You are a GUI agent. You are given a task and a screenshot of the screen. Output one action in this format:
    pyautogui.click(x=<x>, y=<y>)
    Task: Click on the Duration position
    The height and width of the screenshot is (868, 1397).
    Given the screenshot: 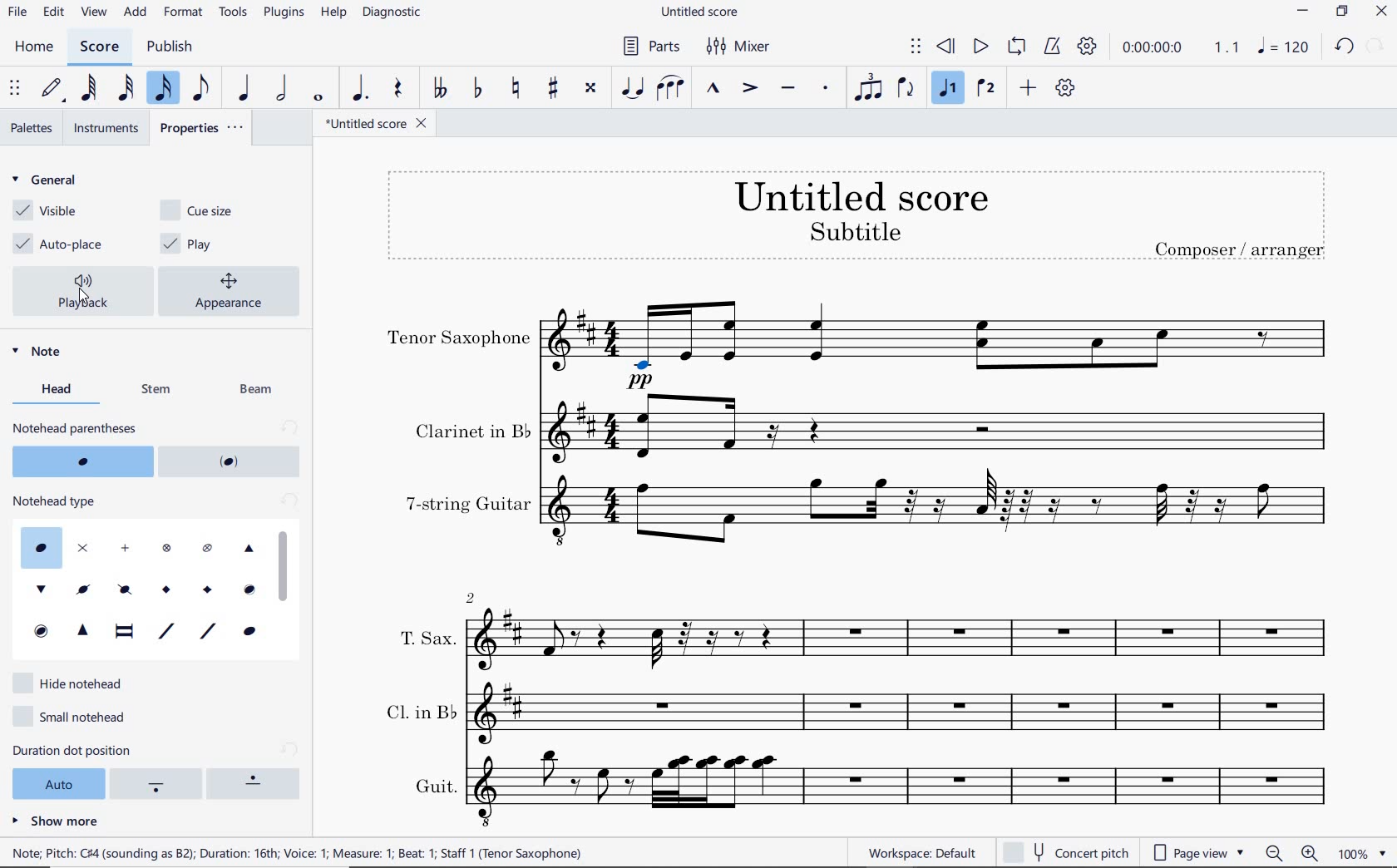 What is the action you would take?
    pyautogui.click(x=159, y=786)
    